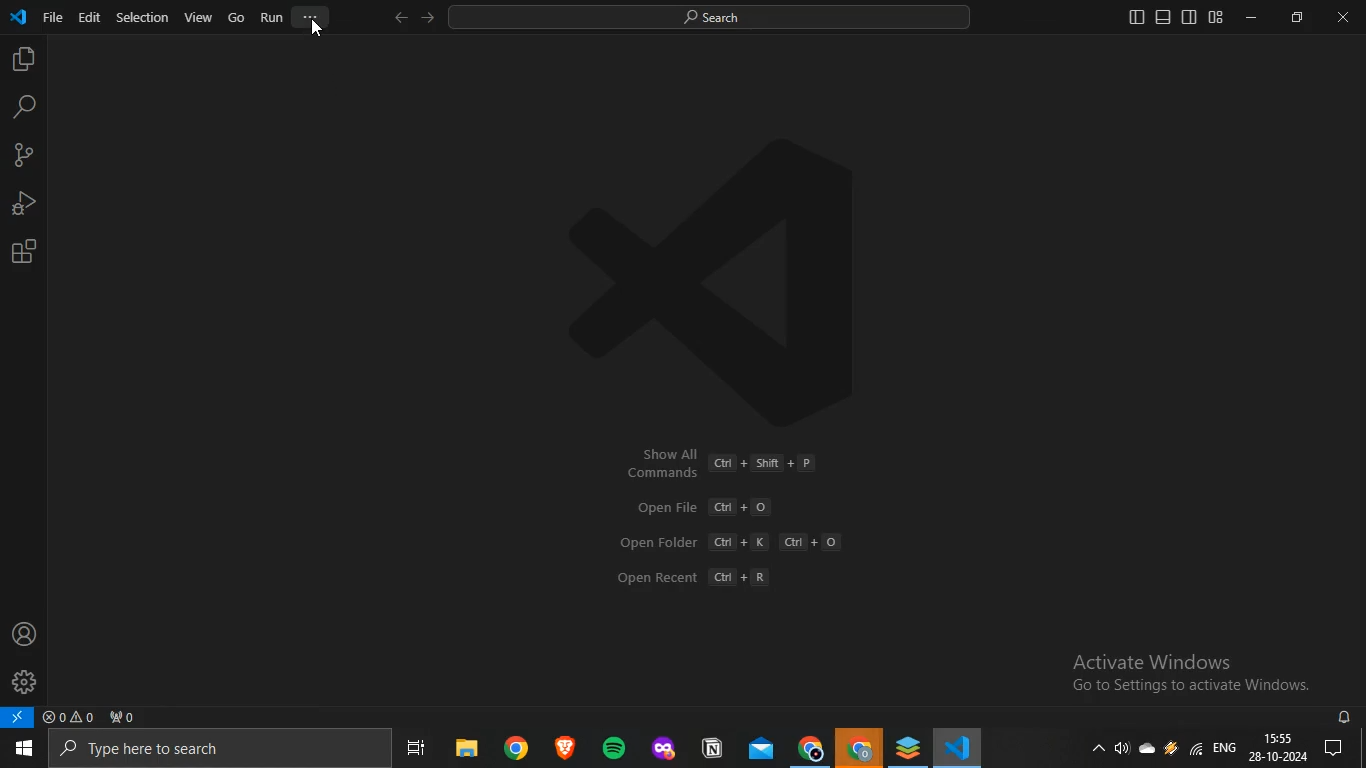  I want to click on toggle primary sidebar, so click(1137, 18).